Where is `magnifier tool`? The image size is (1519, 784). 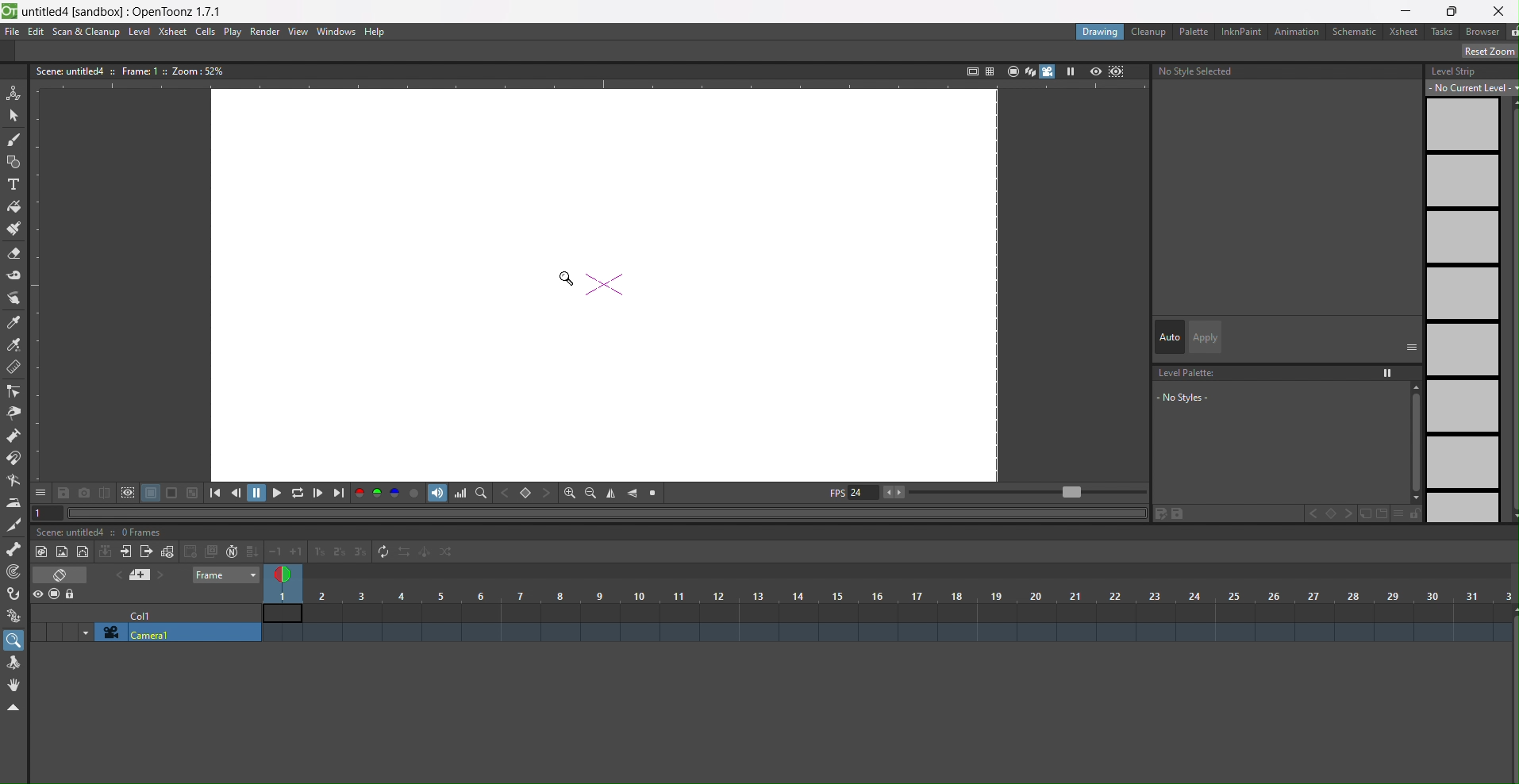
magnifier tool is located at coordinates (15, 640).